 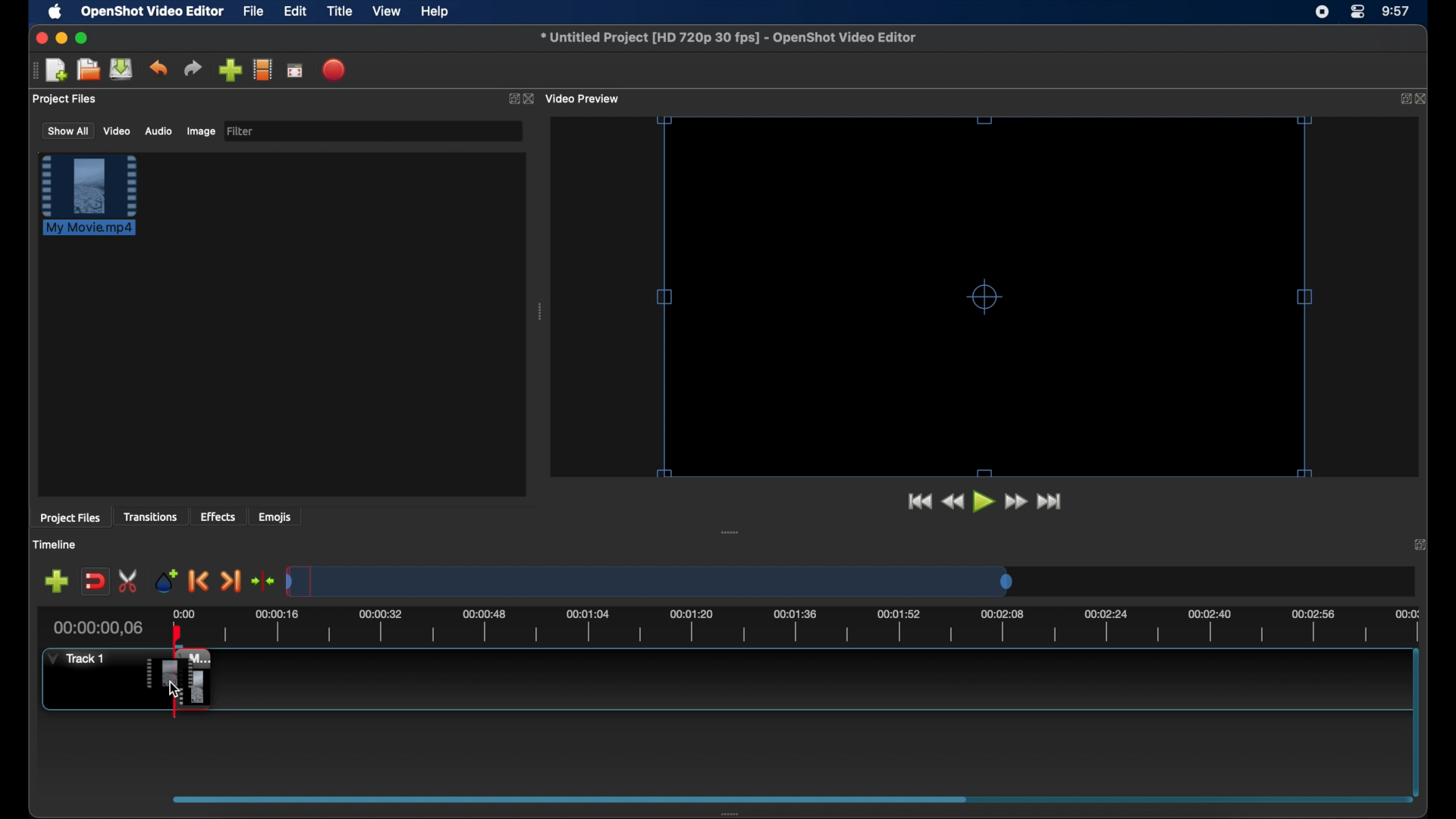 I want to click on current time indicator, so click(x=99, y=628).